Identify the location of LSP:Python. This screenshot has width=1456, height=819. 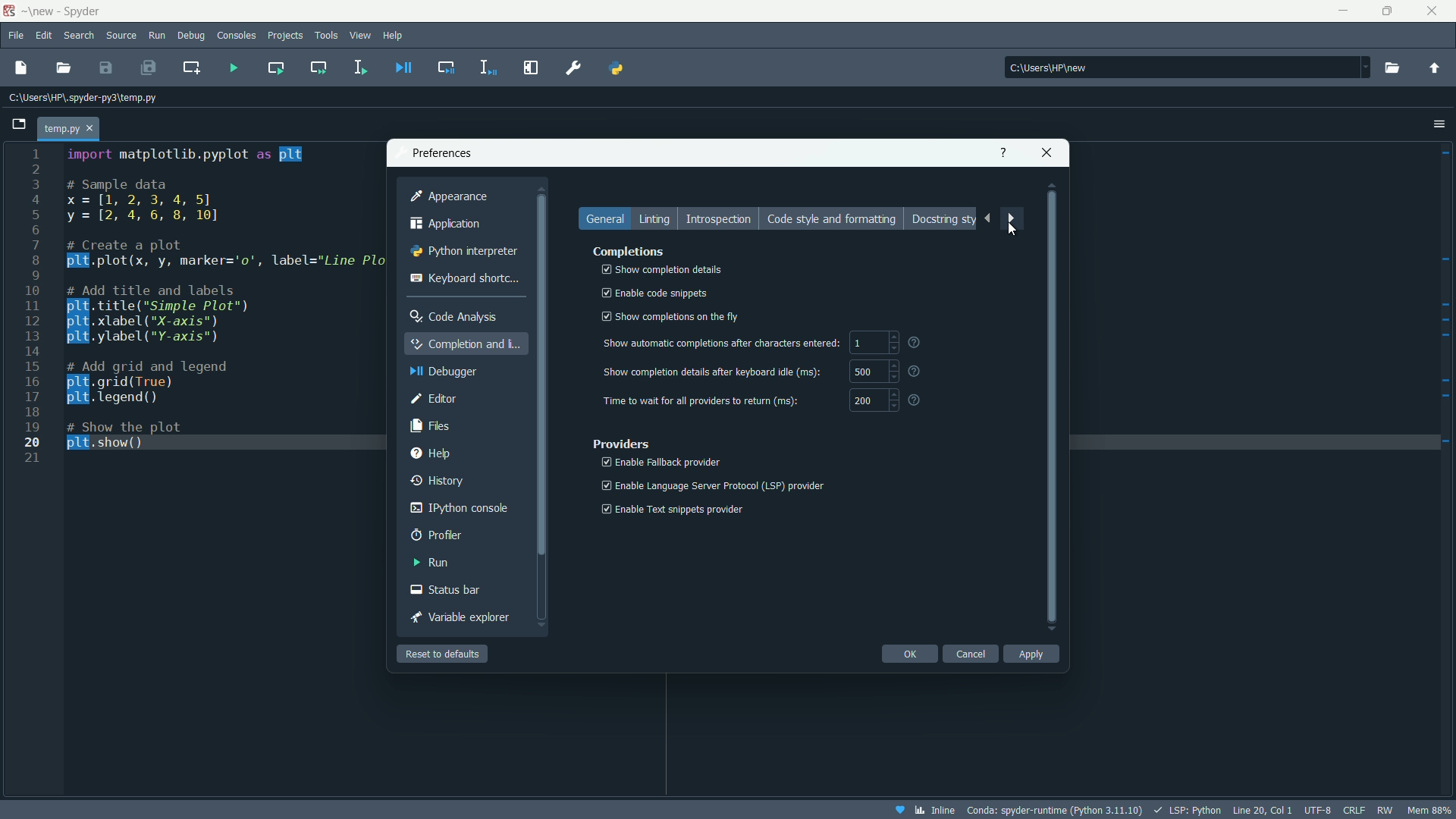
(1187, 810).